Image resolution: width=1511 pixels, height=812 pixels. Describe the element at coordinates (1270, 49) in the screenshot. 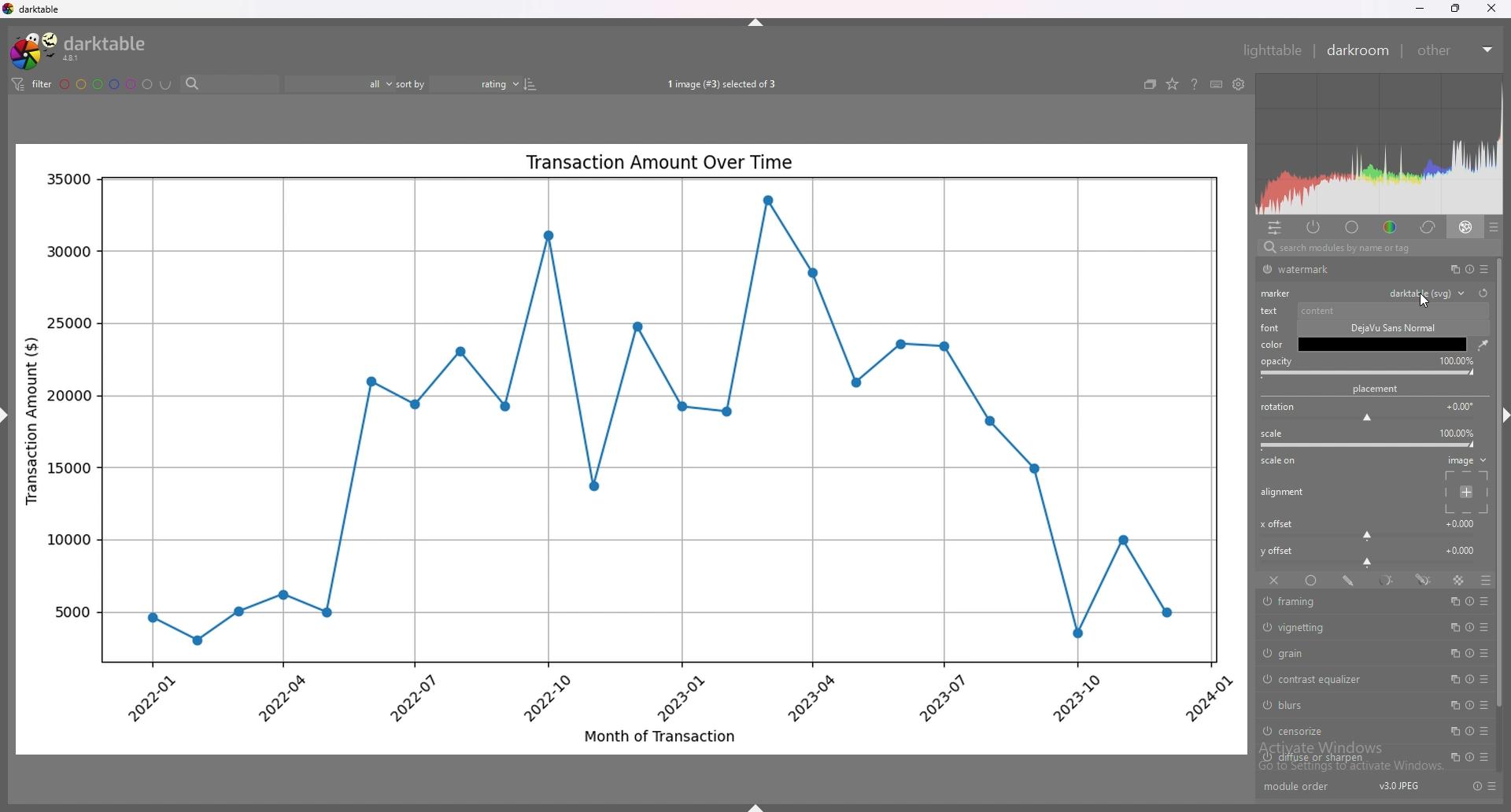

I see `lighttable` at that location.